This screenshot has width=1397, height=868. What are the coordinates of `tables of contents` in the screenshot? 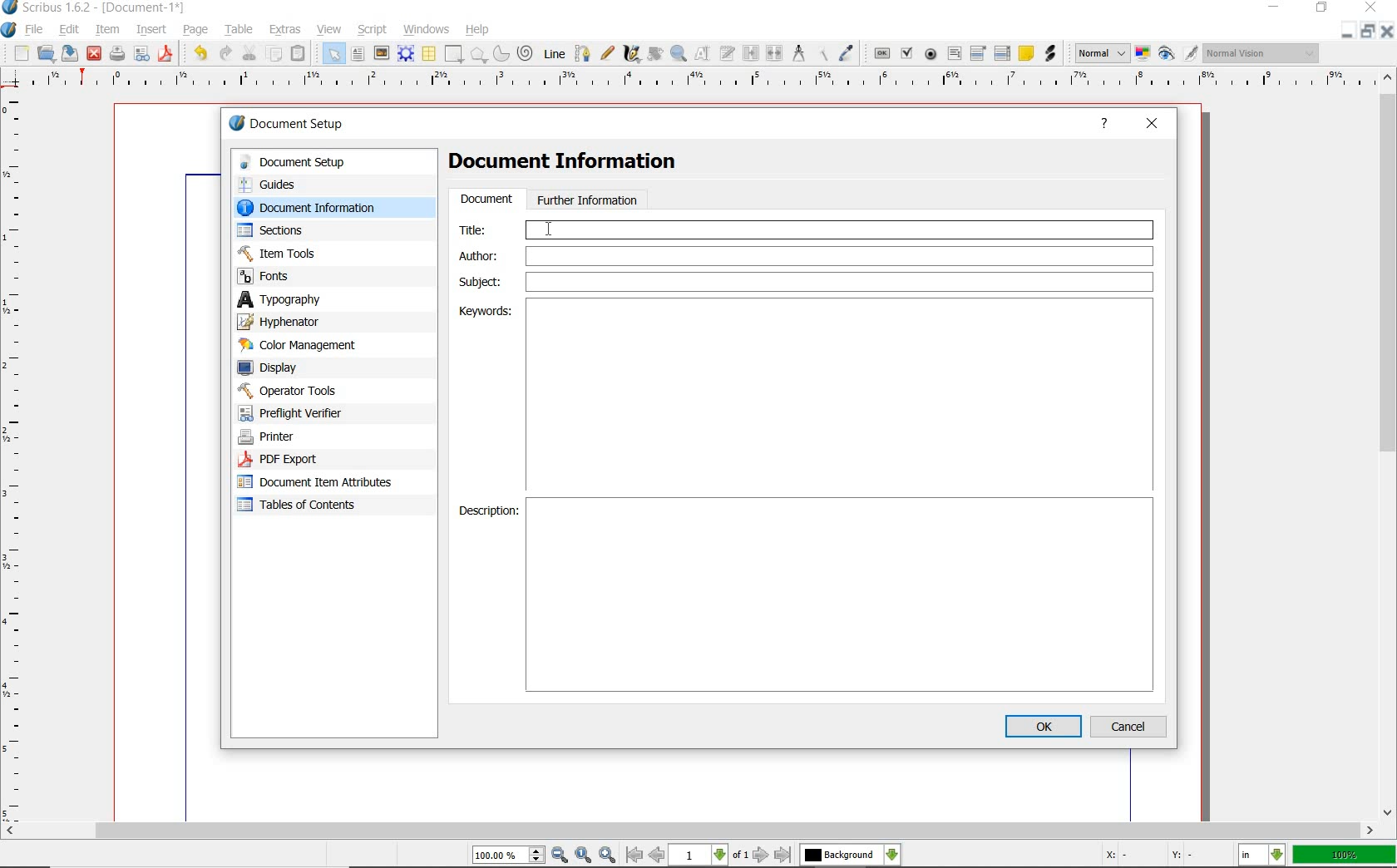 It's located at (308, 506).